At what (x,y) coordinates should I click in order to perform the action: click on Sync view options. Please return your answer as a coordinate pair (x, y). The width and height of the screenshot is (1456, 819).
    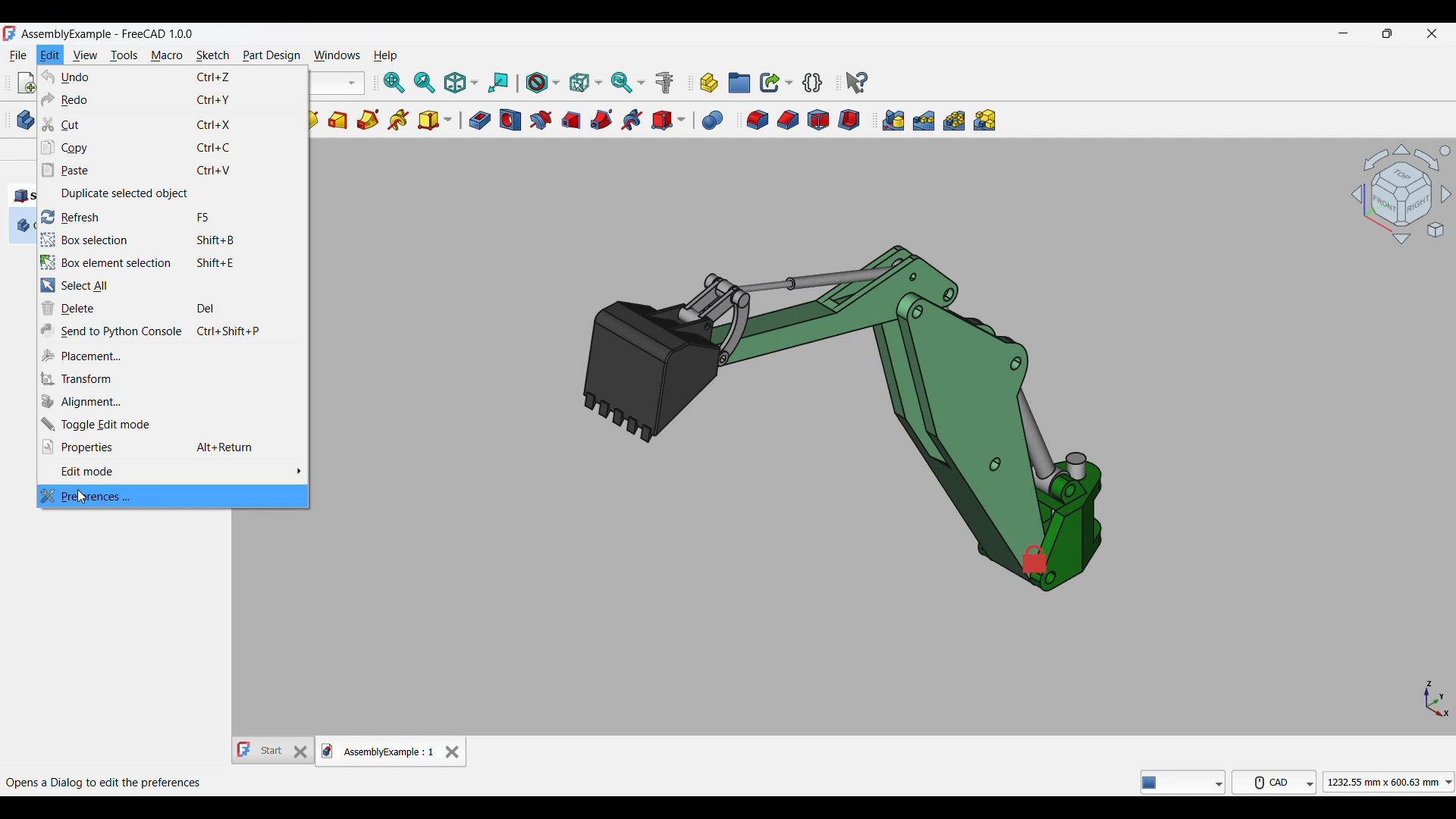
    Looking at the image, I should click on (628, 82).